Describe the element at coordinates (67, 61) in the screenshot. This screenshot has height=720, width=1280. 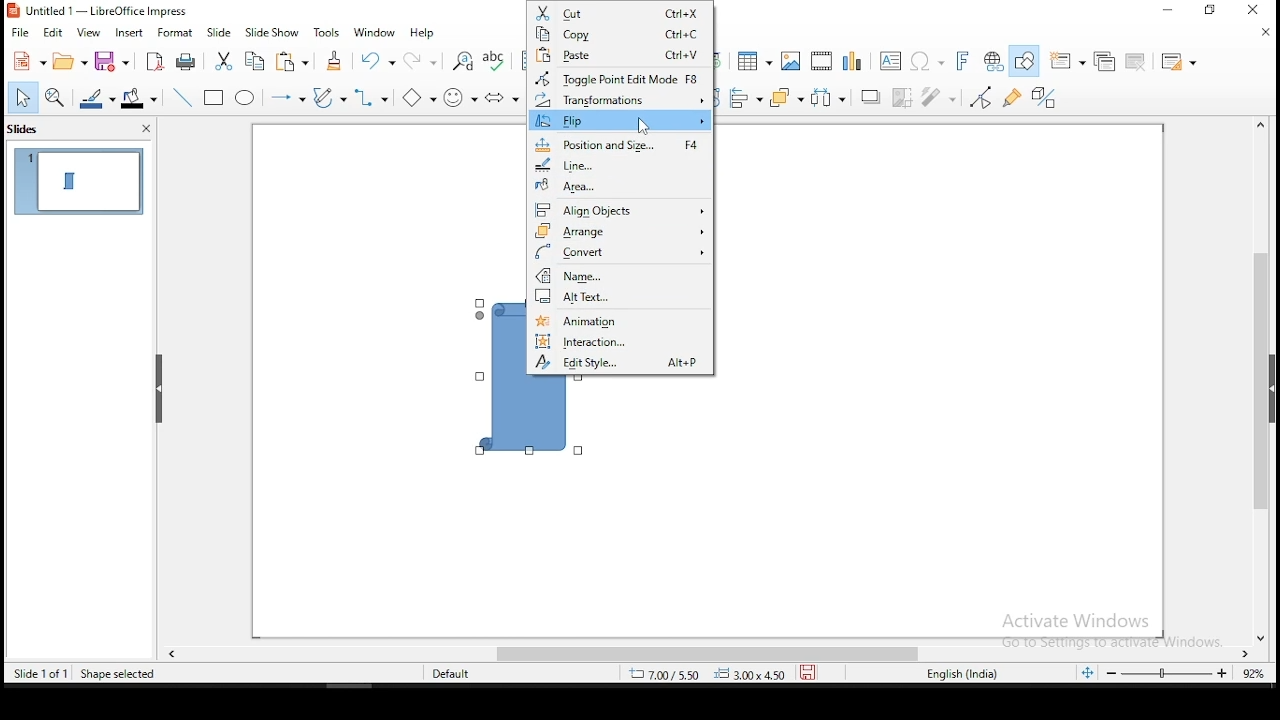
I see `open` at that location.